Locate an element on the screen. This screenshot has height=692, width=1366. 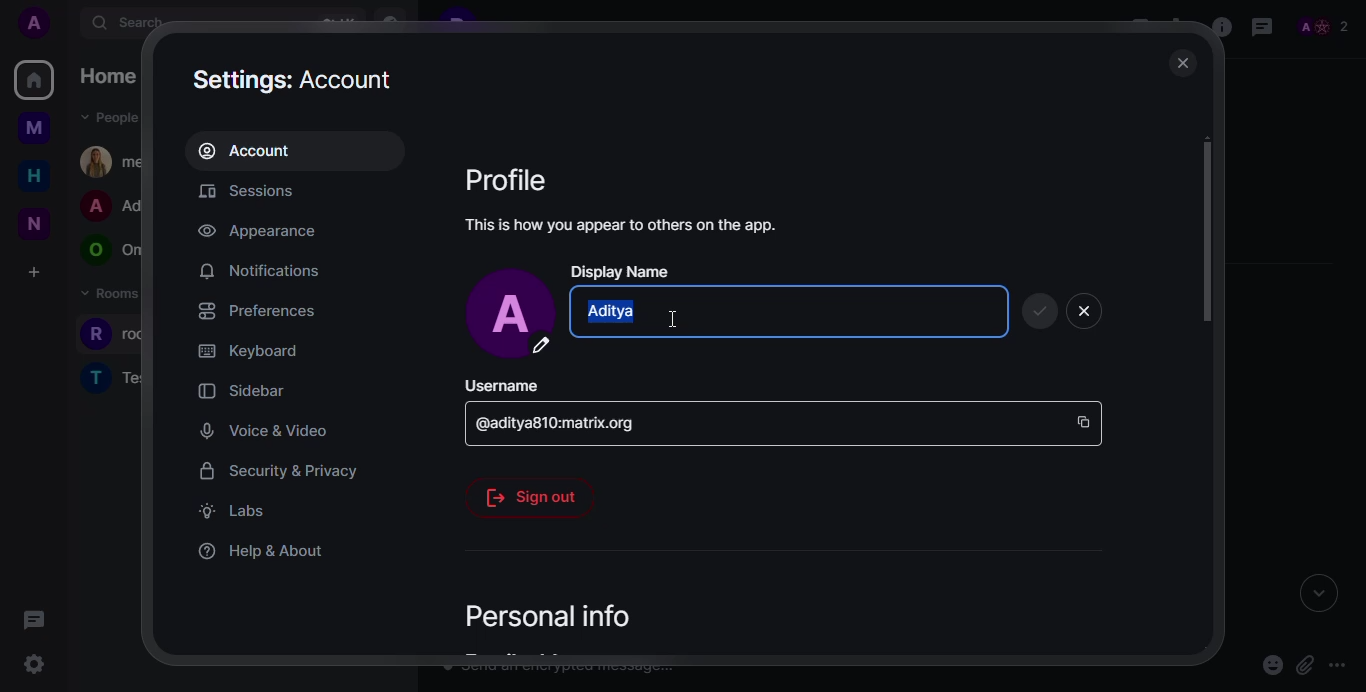
rooms is located at coordinates (112, 337).